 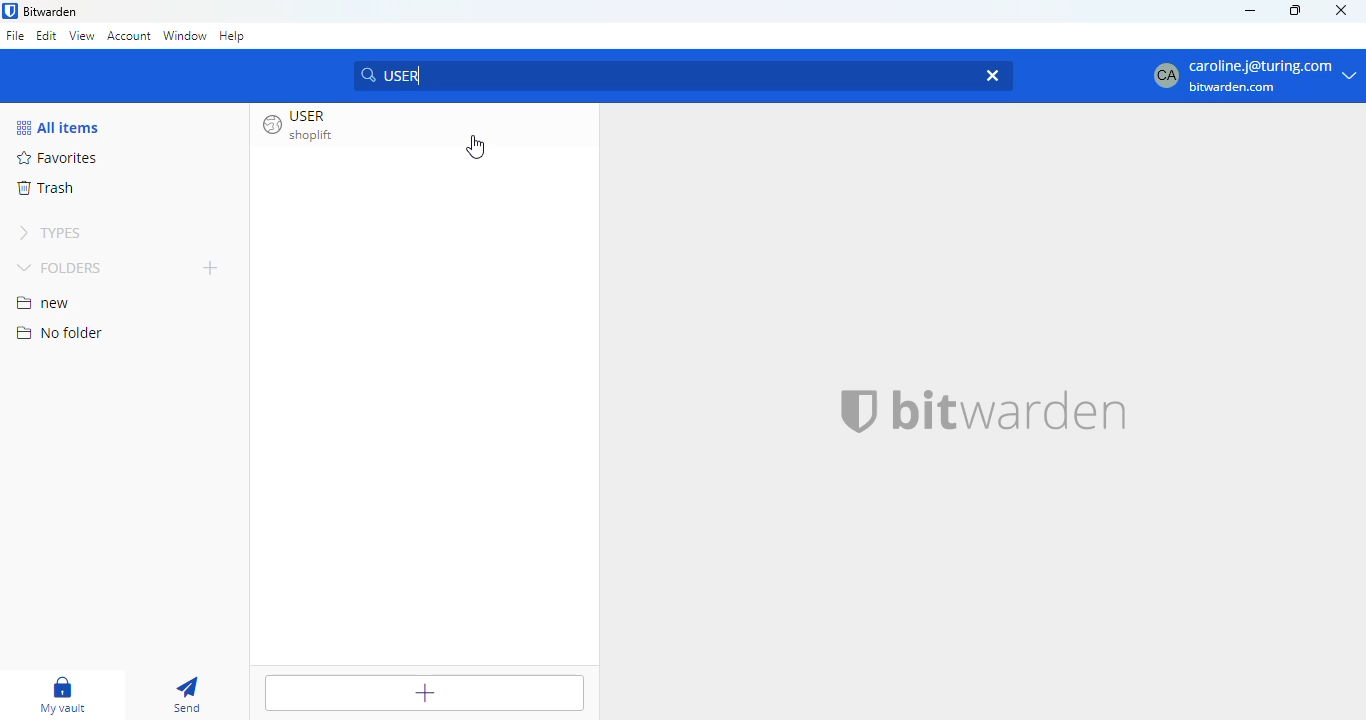 I want to click on cursor, so click(x=475, y=147).